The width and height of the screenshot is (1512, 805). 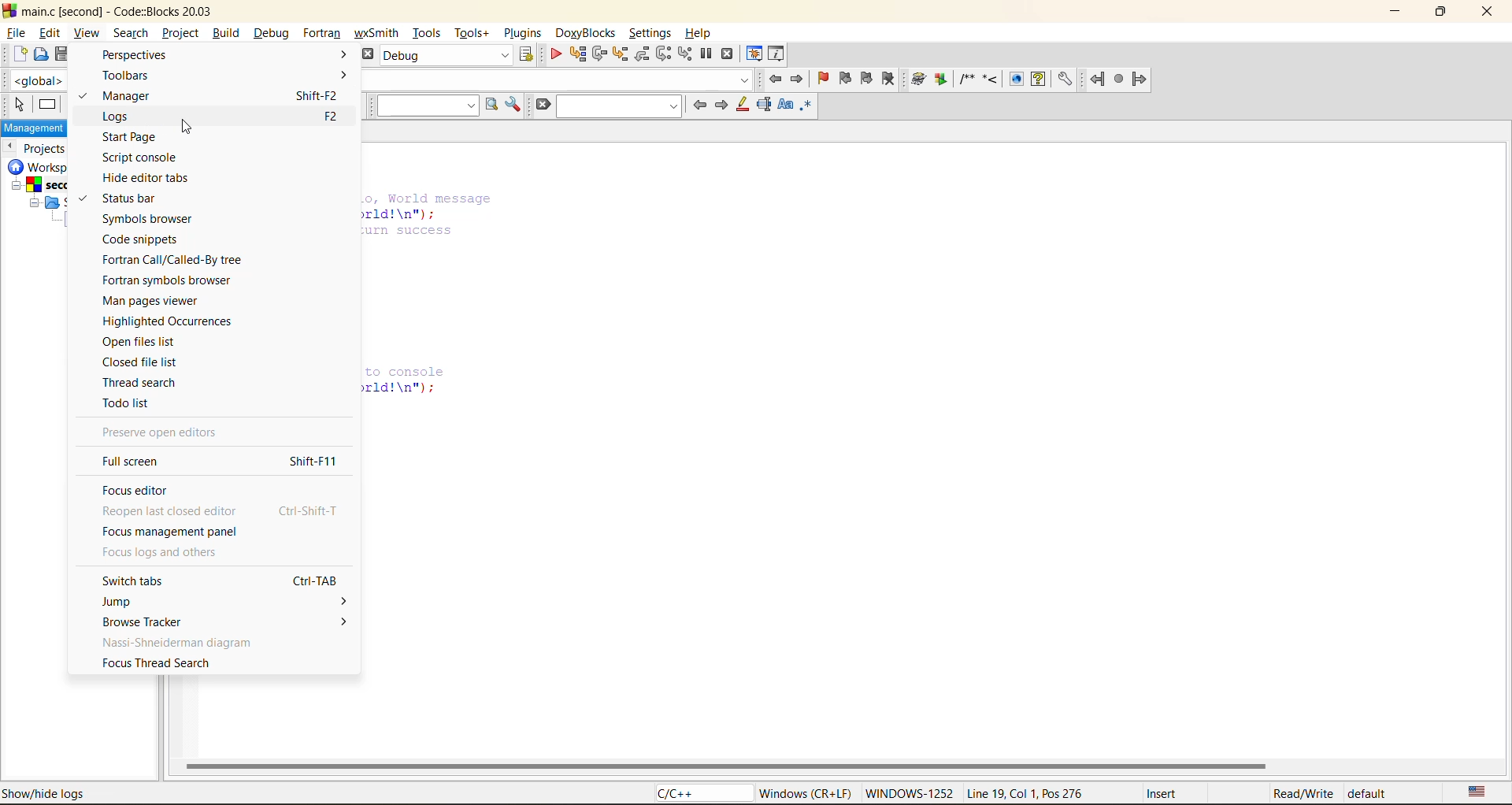 I want to click on next bookmark, so click(x=868, y=83).